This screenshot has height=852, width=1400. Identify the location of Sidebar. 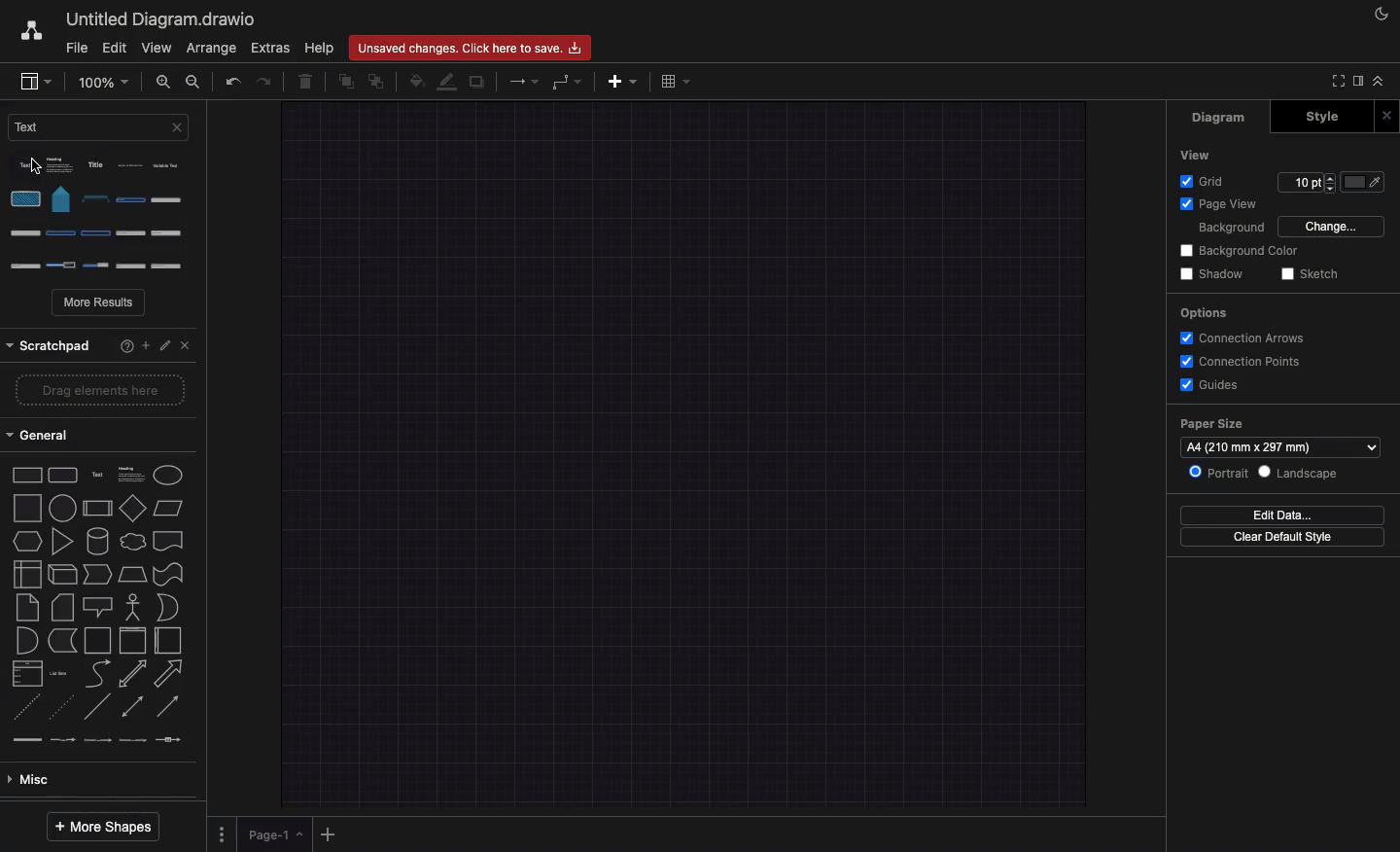
(1356, 82).